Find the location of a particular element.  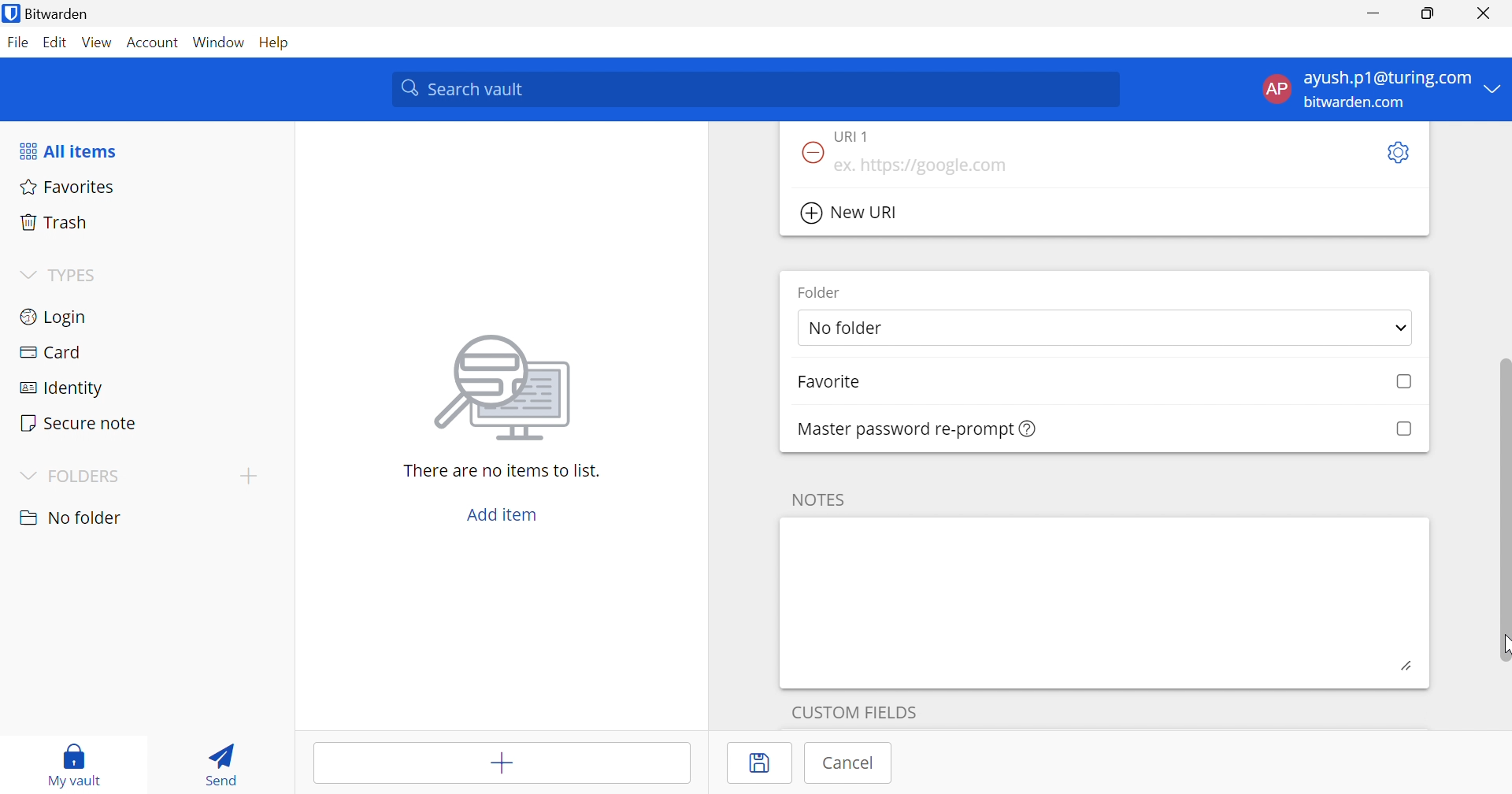

Account is located at coordinates (154, 46).